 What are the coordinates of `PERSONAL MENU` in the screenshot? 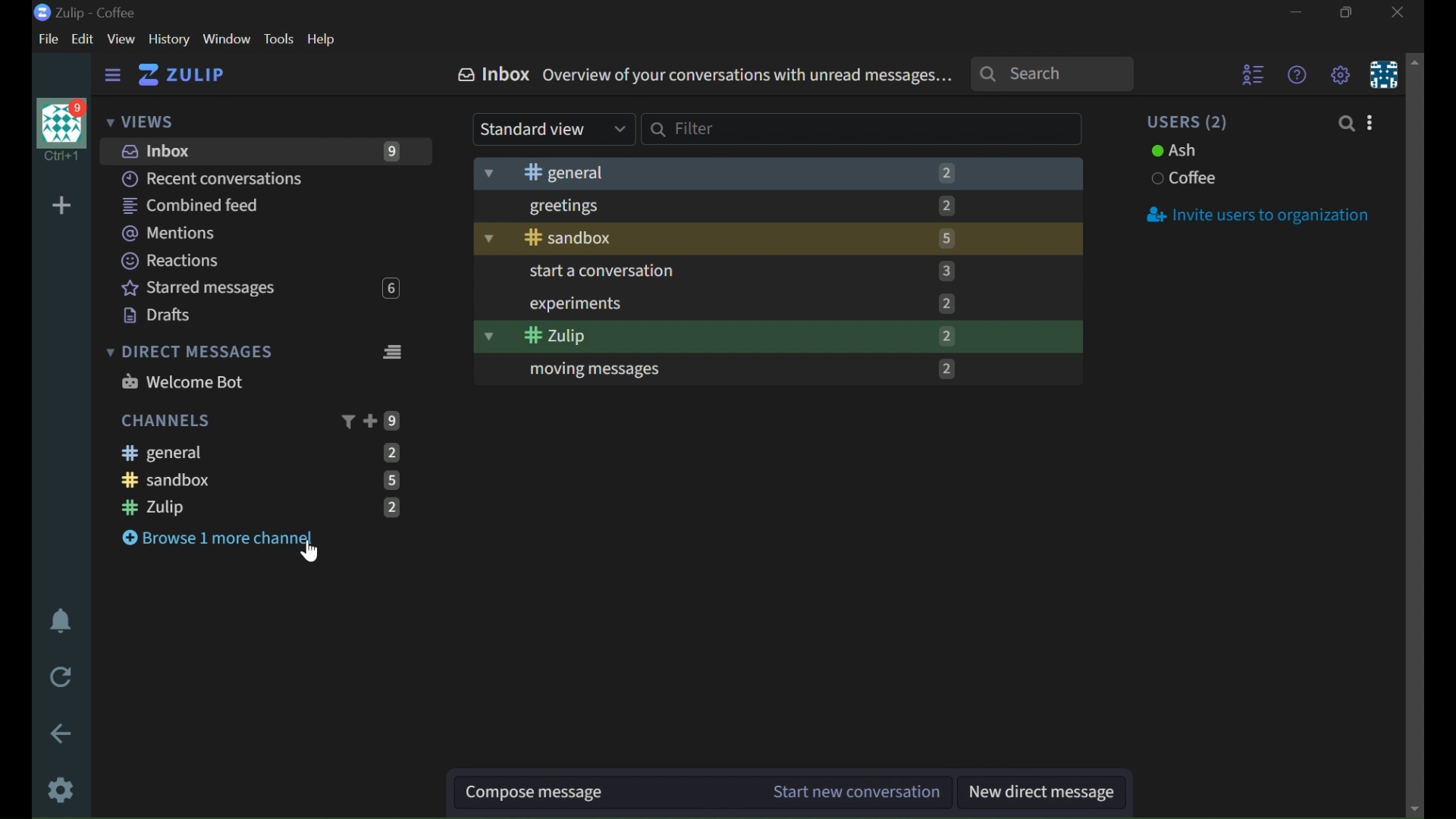 It's located at (1384, 74).